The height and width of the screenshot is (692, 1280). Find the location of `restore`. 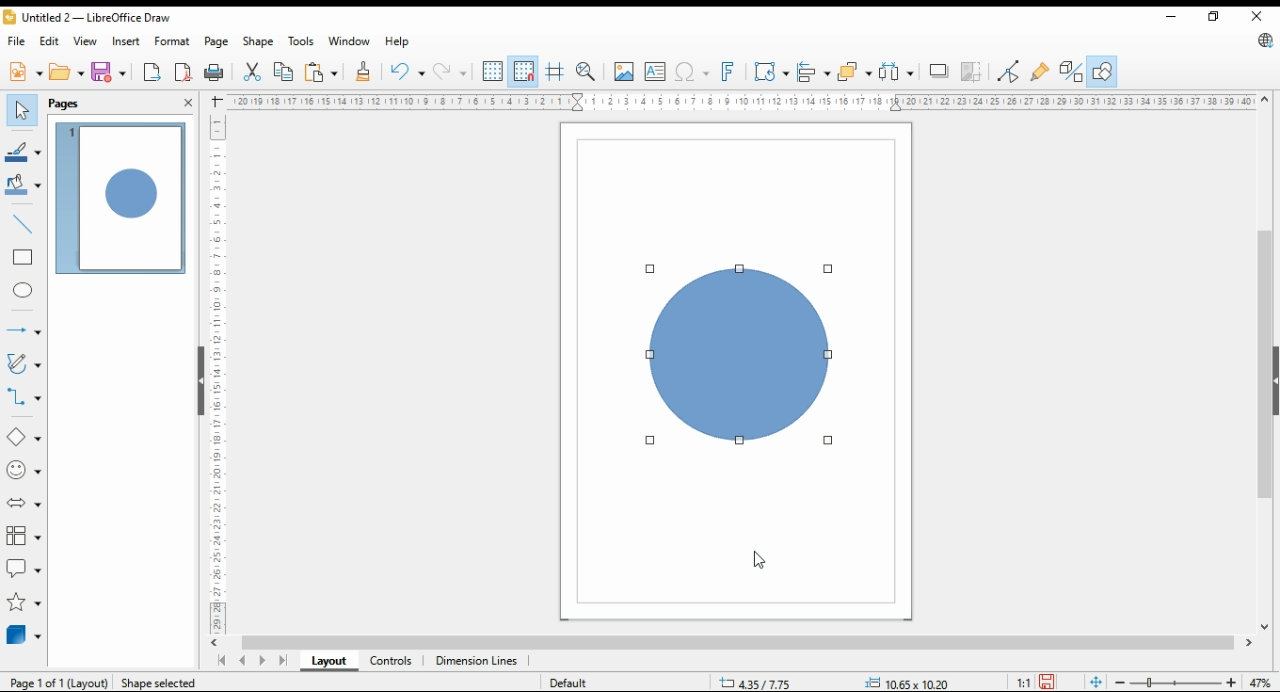

restore is located at coordinates (1218, 17).